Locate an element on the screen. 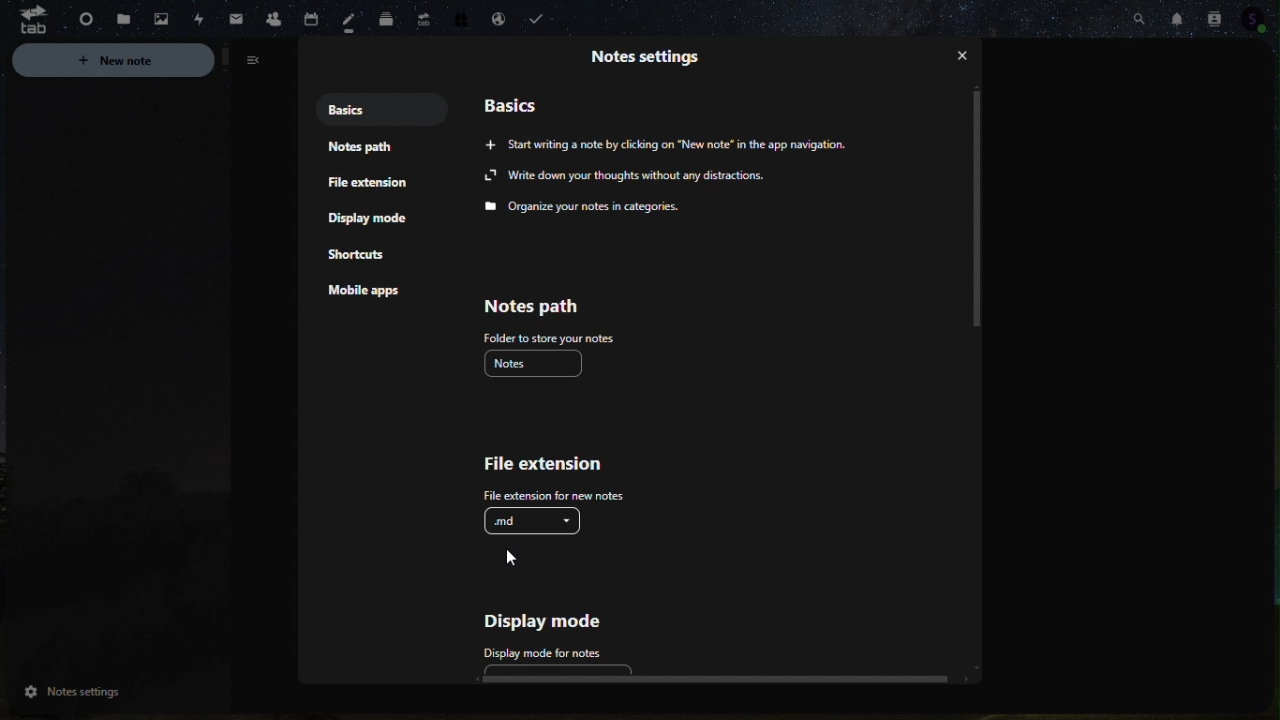 This screenshot has height=720, width=1280. close is located at coordinates (964, 59).